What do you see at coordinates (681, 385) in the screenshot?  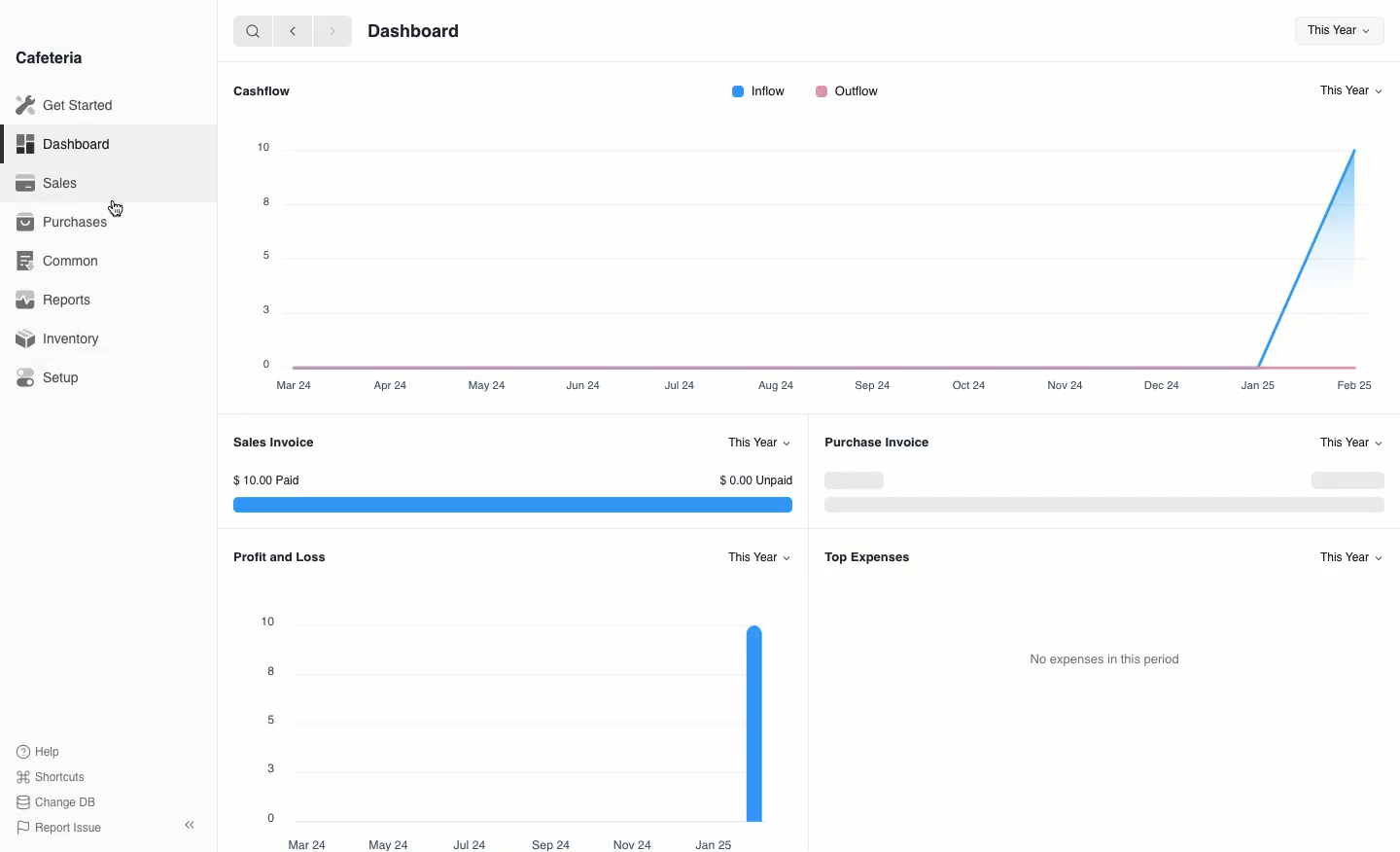 I see `Jul 24` at bounding box center [681, 385].